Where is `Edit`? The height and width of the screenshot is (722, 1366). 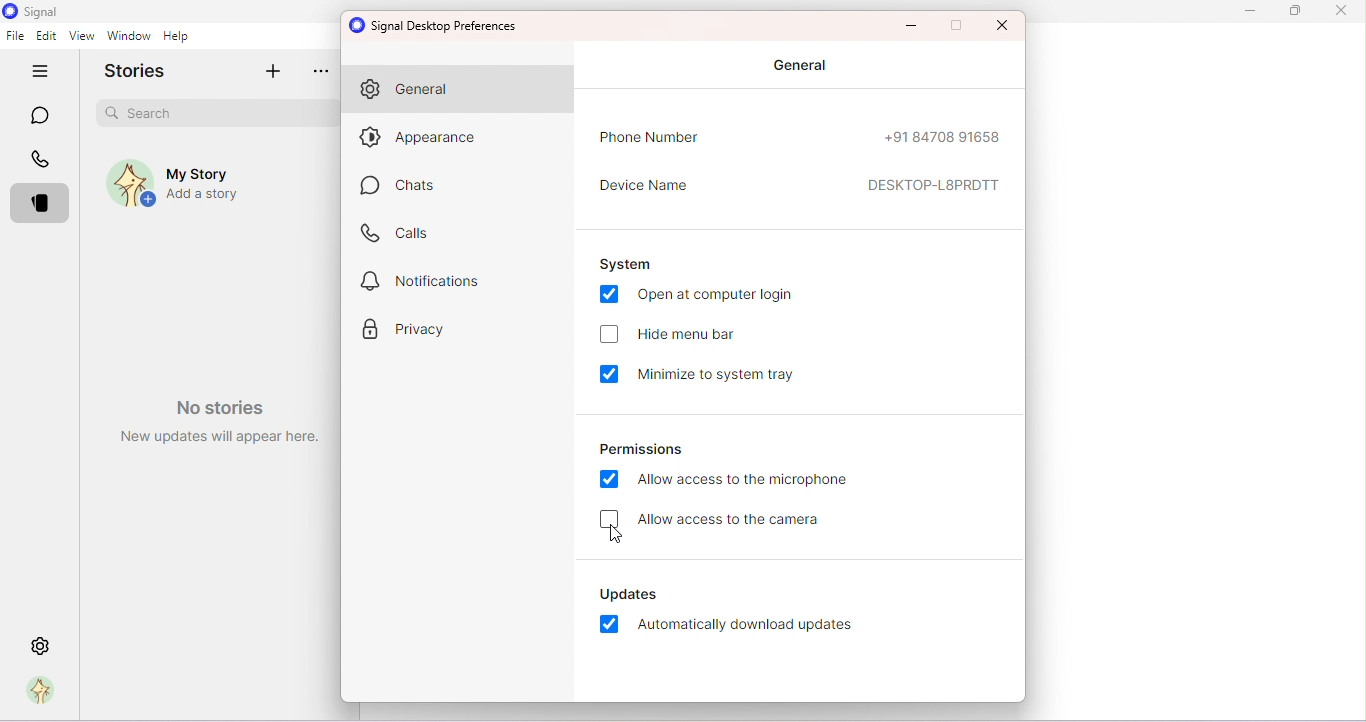
Edit is located at coordinates (48, 38).